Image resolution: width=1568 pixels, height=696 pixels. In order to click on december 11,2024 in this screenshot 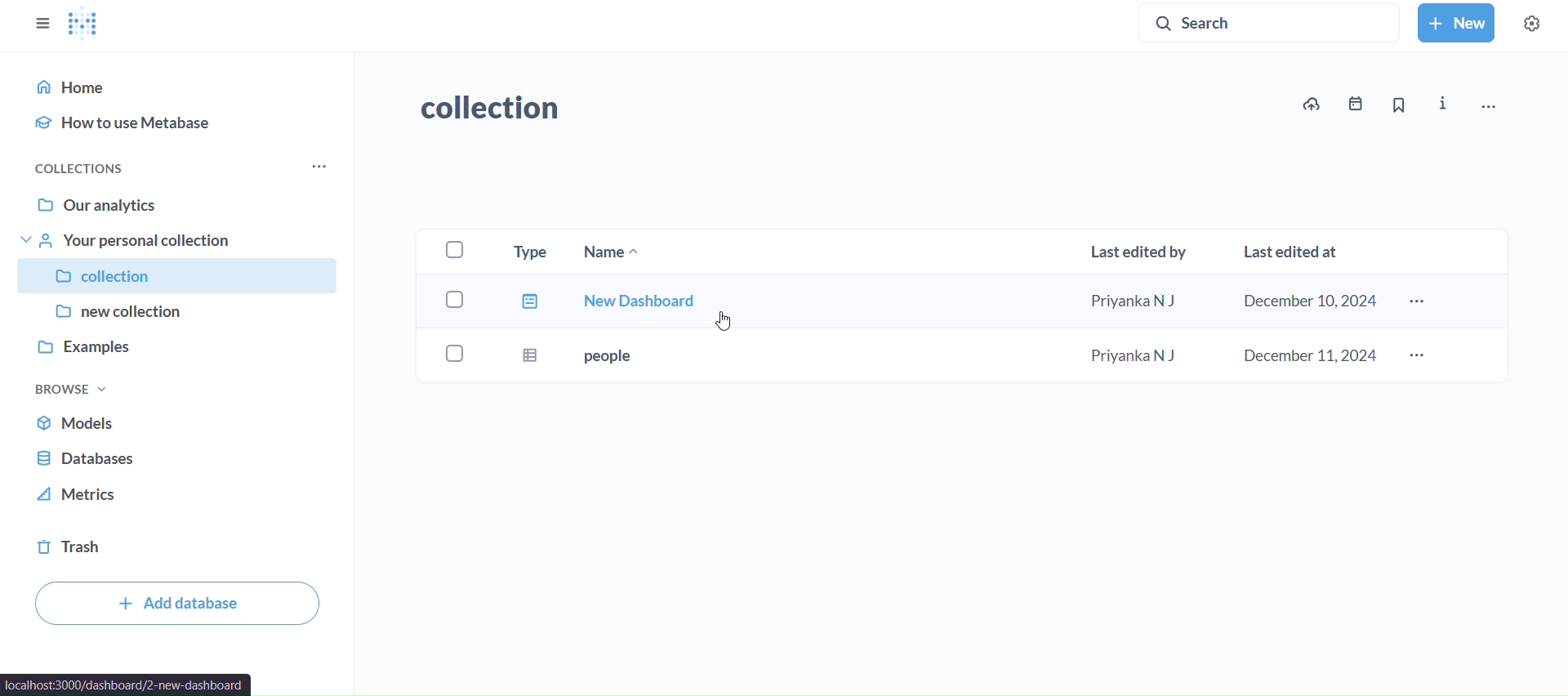, I will do `click(1308, 355)`.